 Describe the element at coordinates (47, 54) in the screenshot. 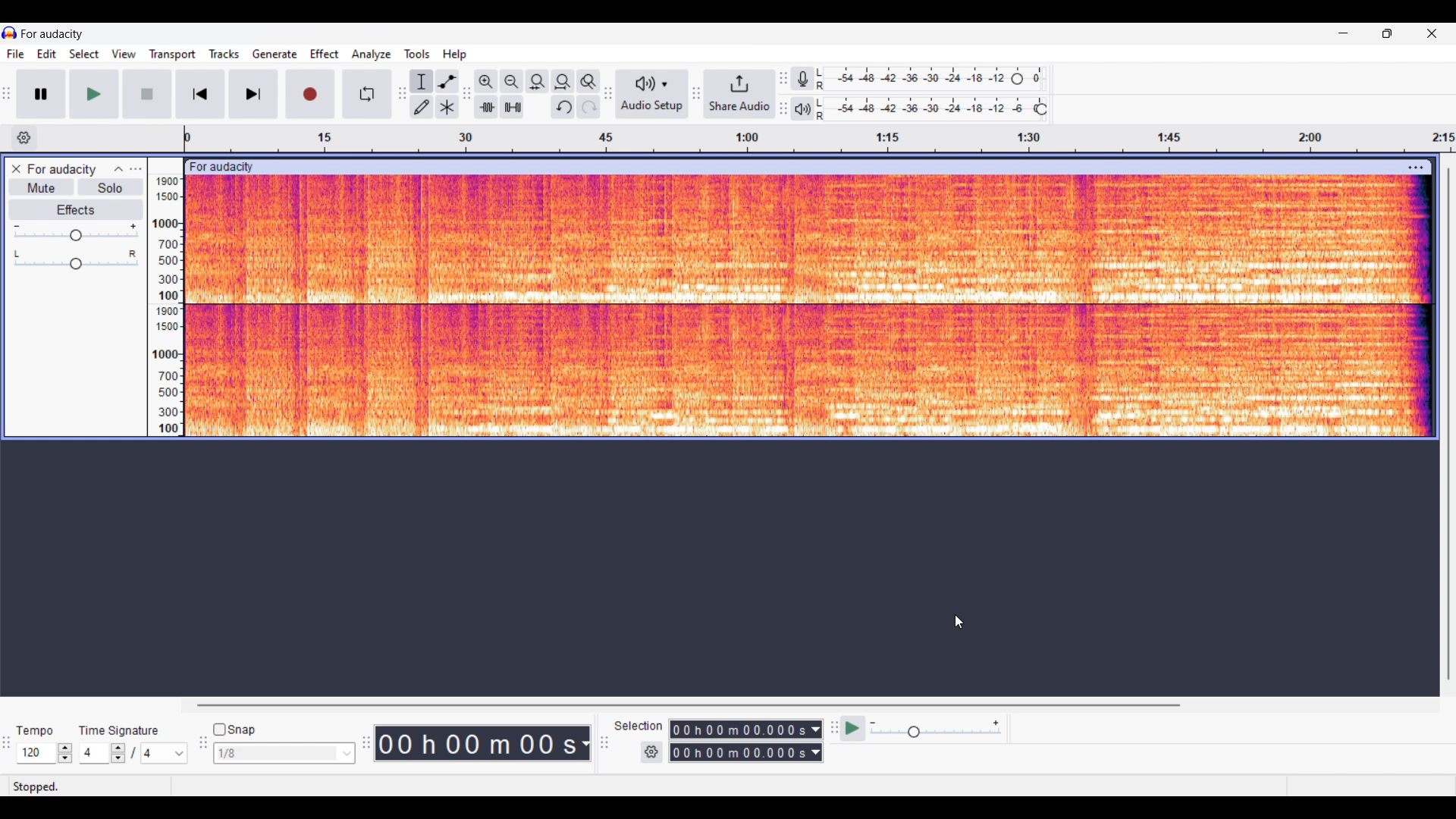

I see `Edit menu` at that location.